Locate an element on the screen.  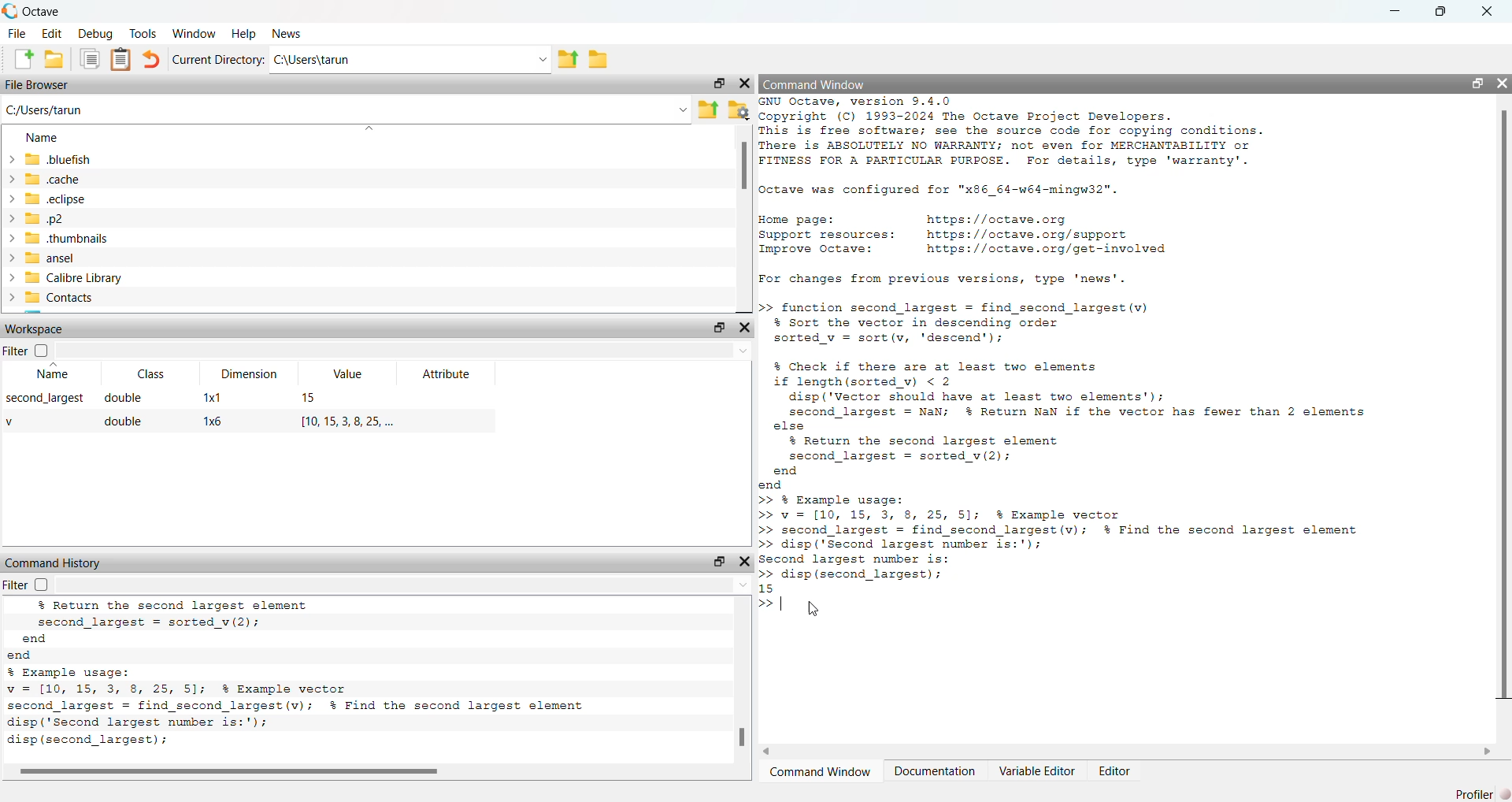
code to check the number of elements is located at coordinates (1096, 425).